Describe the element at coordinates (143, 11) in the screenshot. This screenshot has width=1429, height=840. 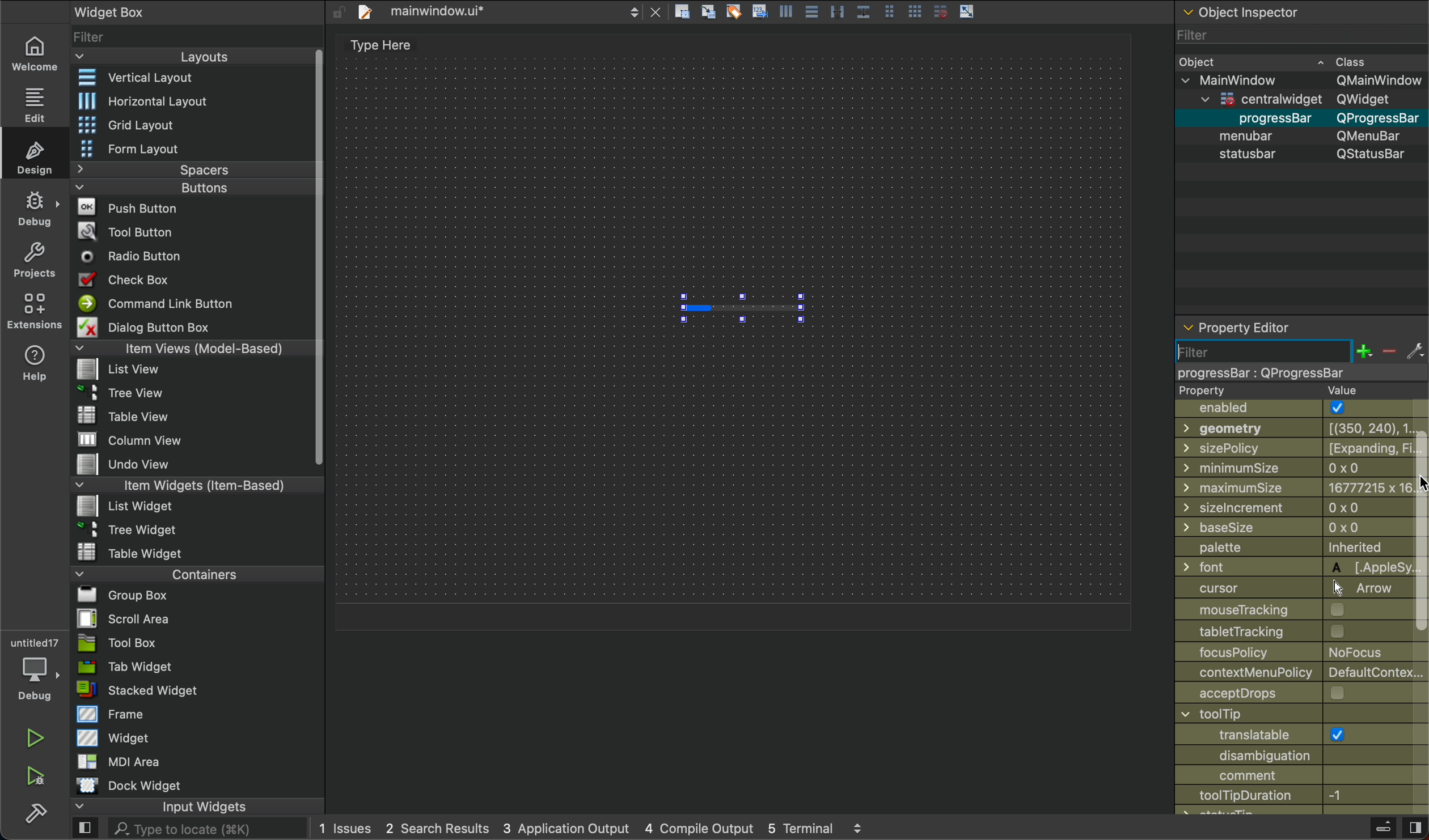
I see `widget box` at that location.